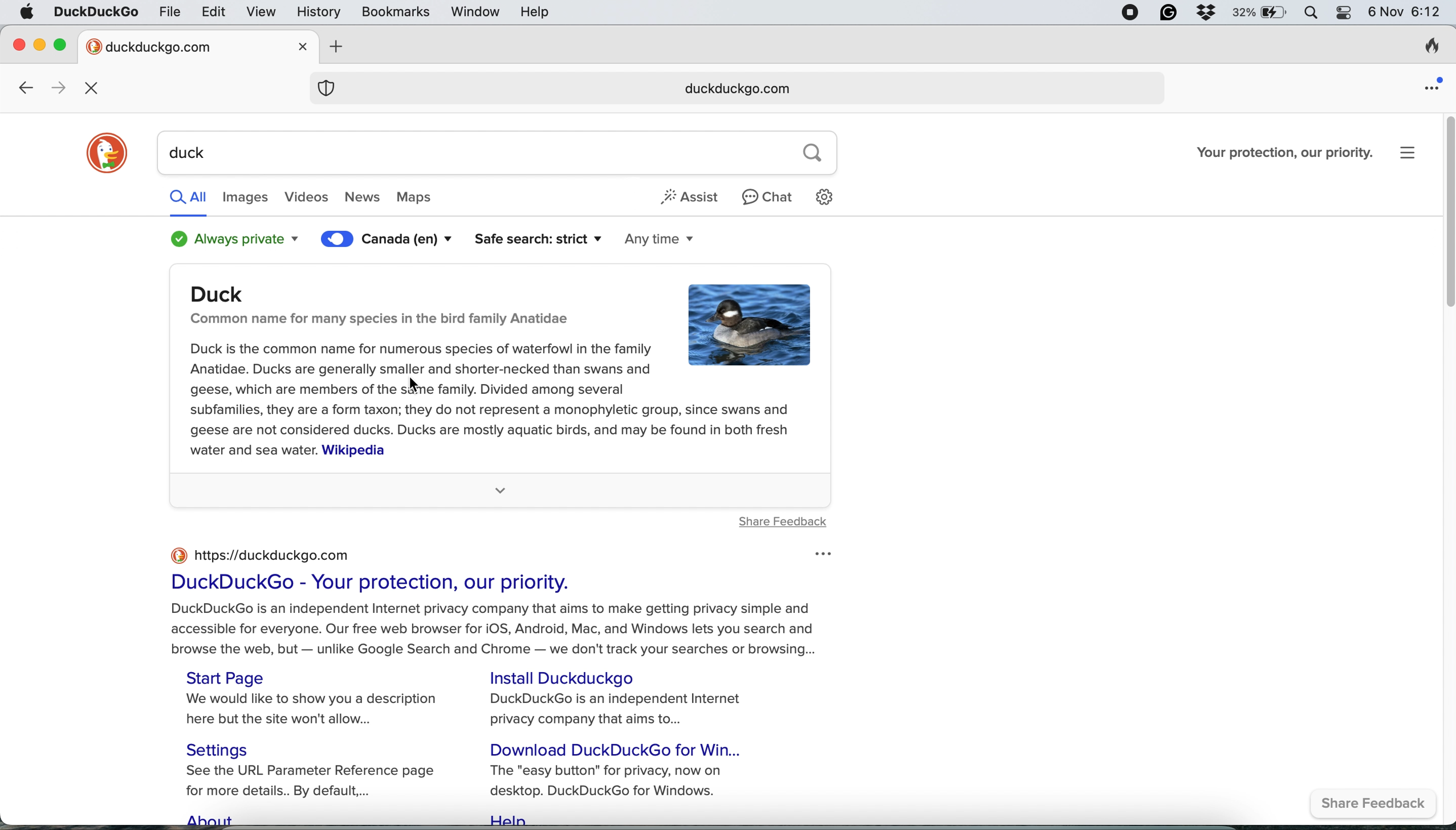 This screenshot has height=830, width=1456. Describe the element at coordinates (274, 555) in the screenshot. I see `https://duckduckgo.com` at that location.